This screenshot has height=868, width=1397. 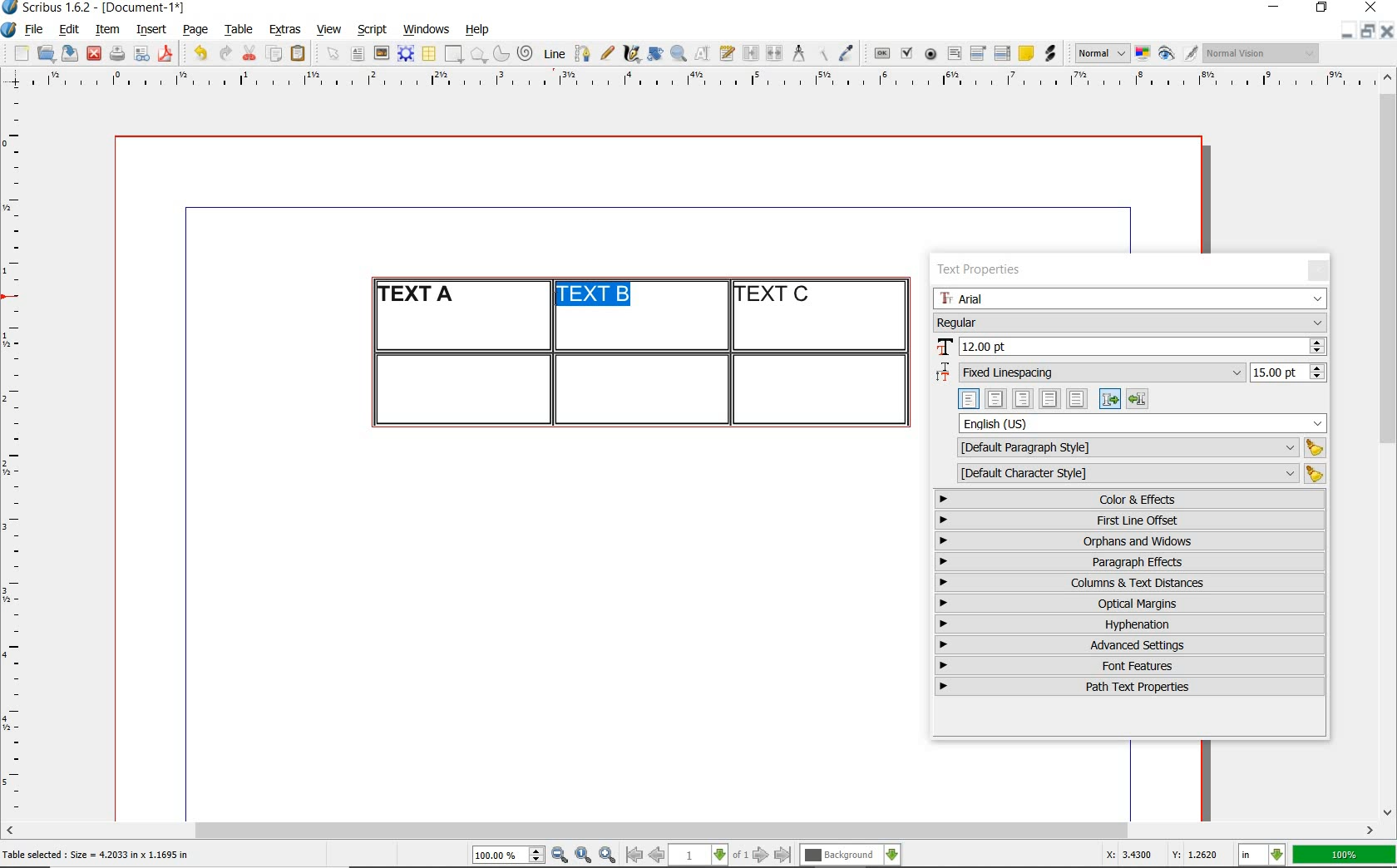 I want to click on windows, so click(x=427, y=30).